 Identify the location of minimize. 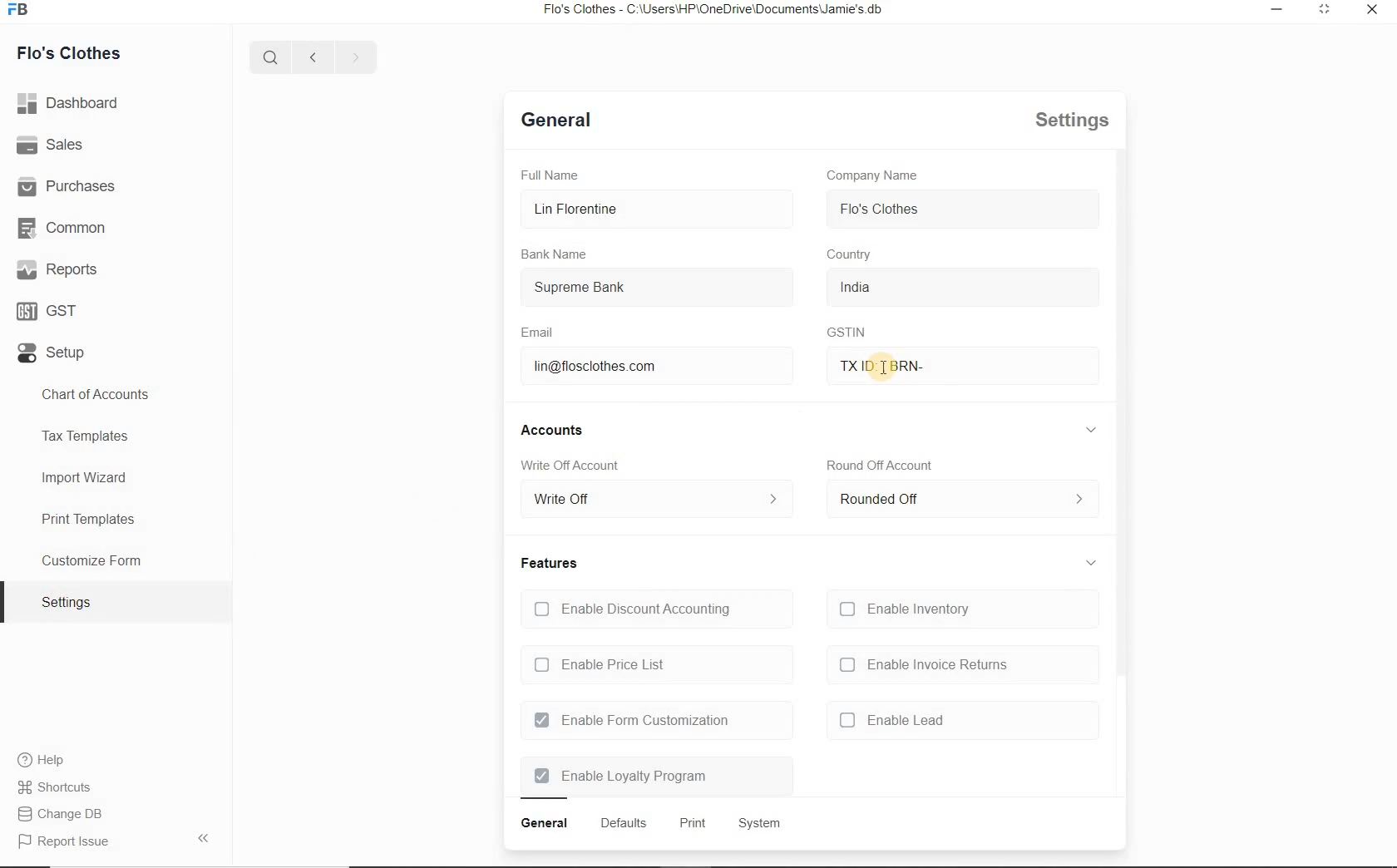
(1325, 12).